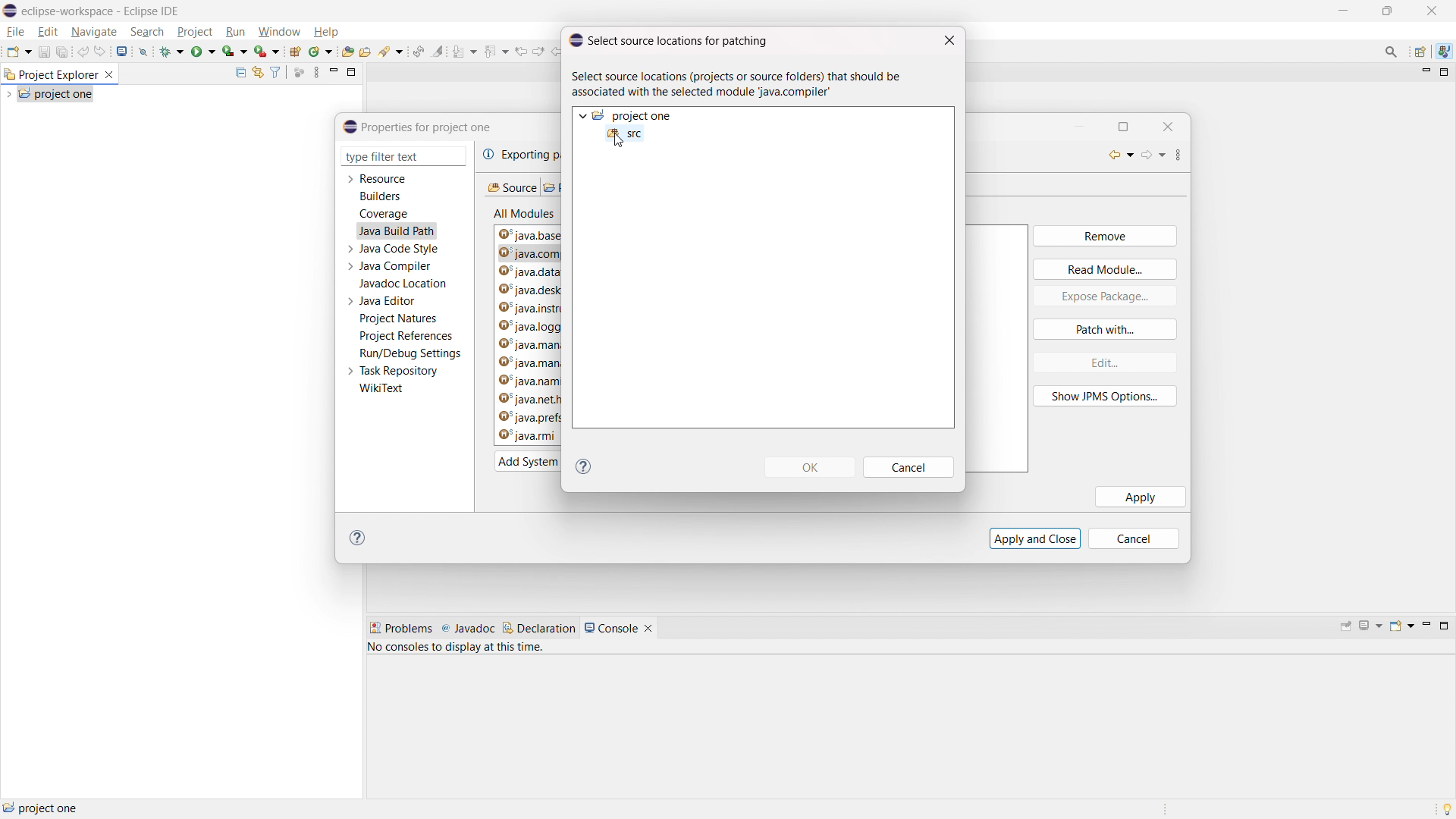  I want to click on expand java code style, so click(350, 247).